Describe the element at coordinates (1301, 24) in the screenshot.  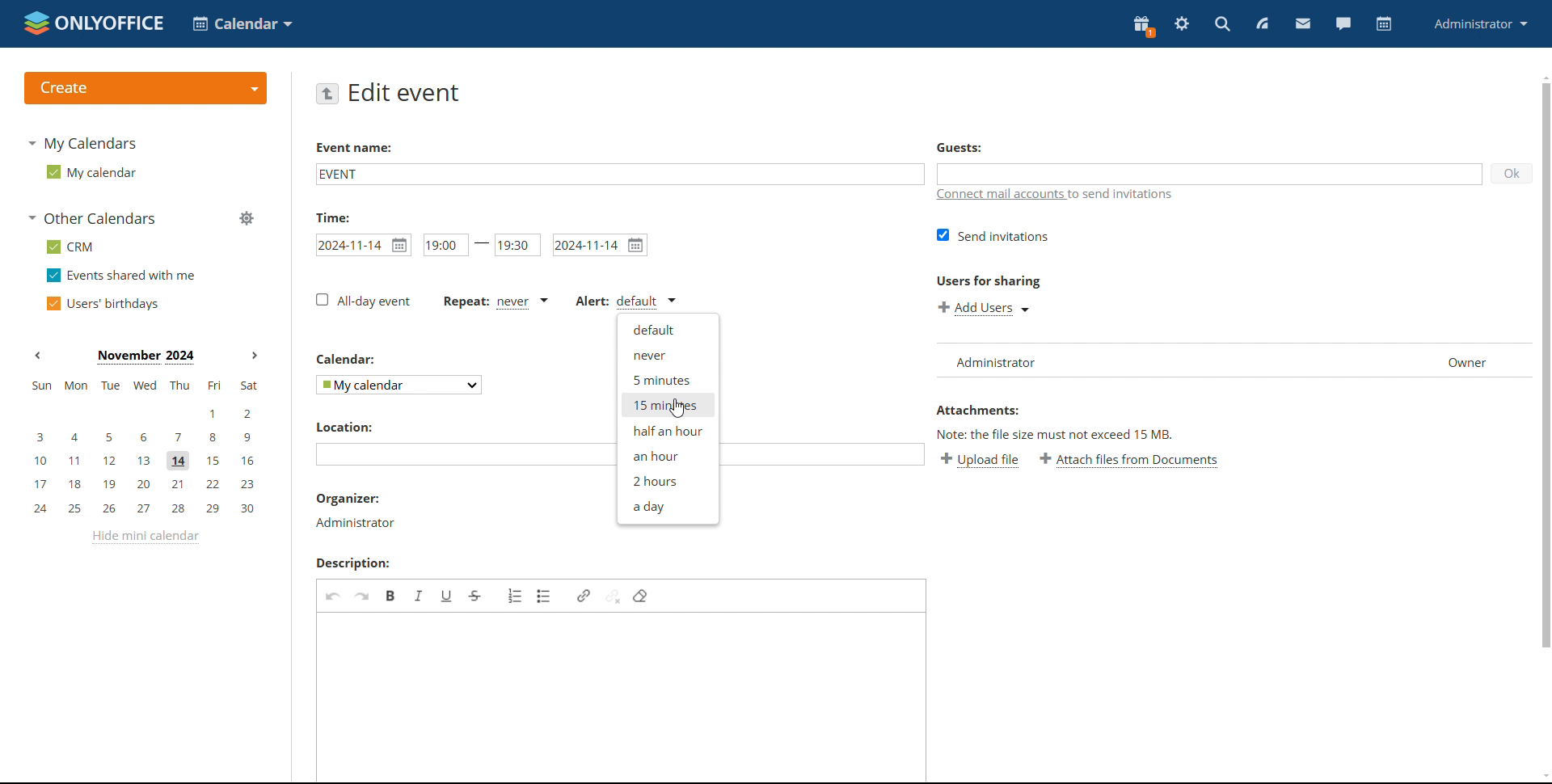
I see `mail` at that location.